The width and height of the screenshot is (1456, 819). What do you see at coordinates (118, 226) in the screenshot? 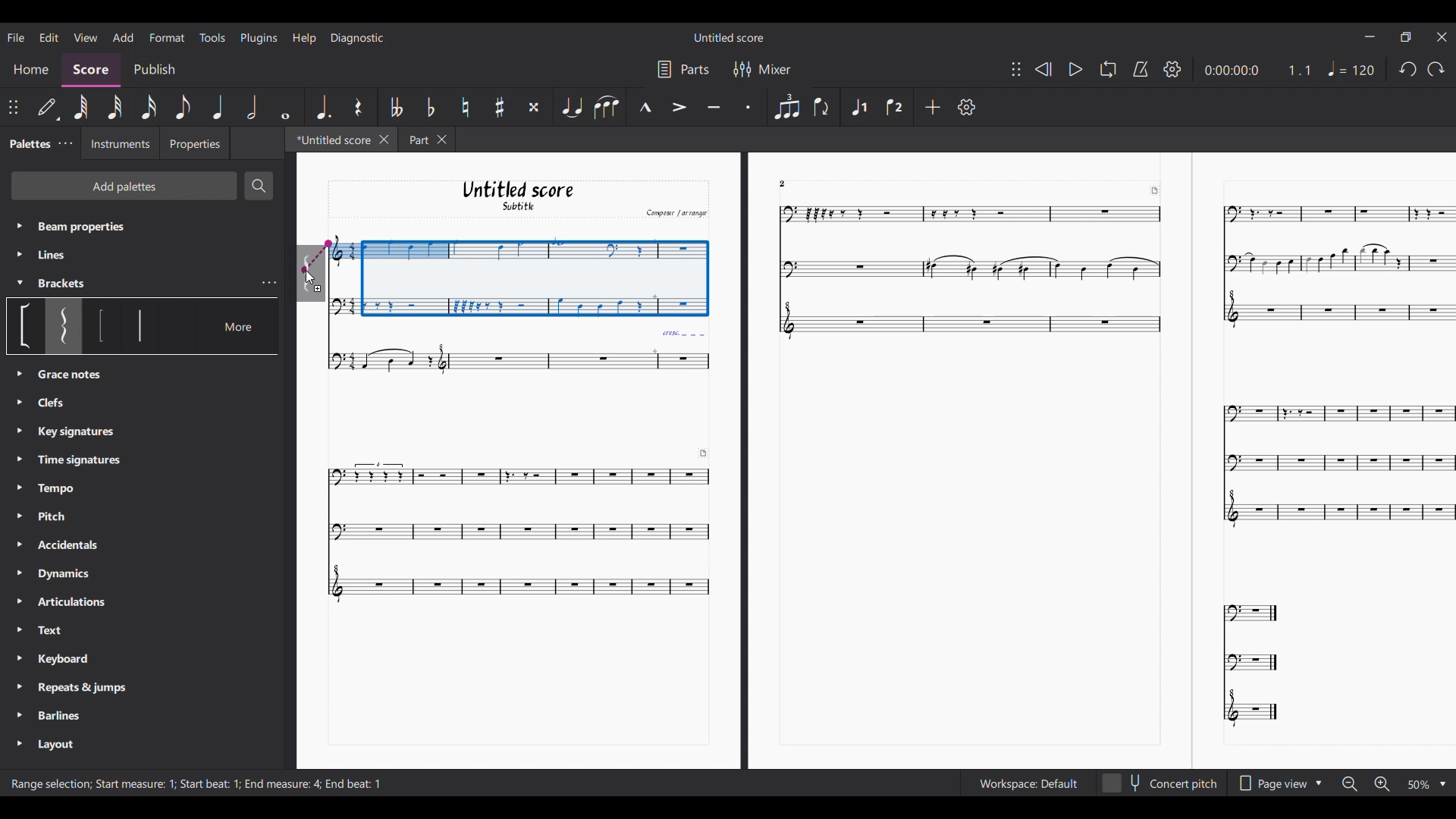
I see `Beam properties` at bounding box center [118, 226].